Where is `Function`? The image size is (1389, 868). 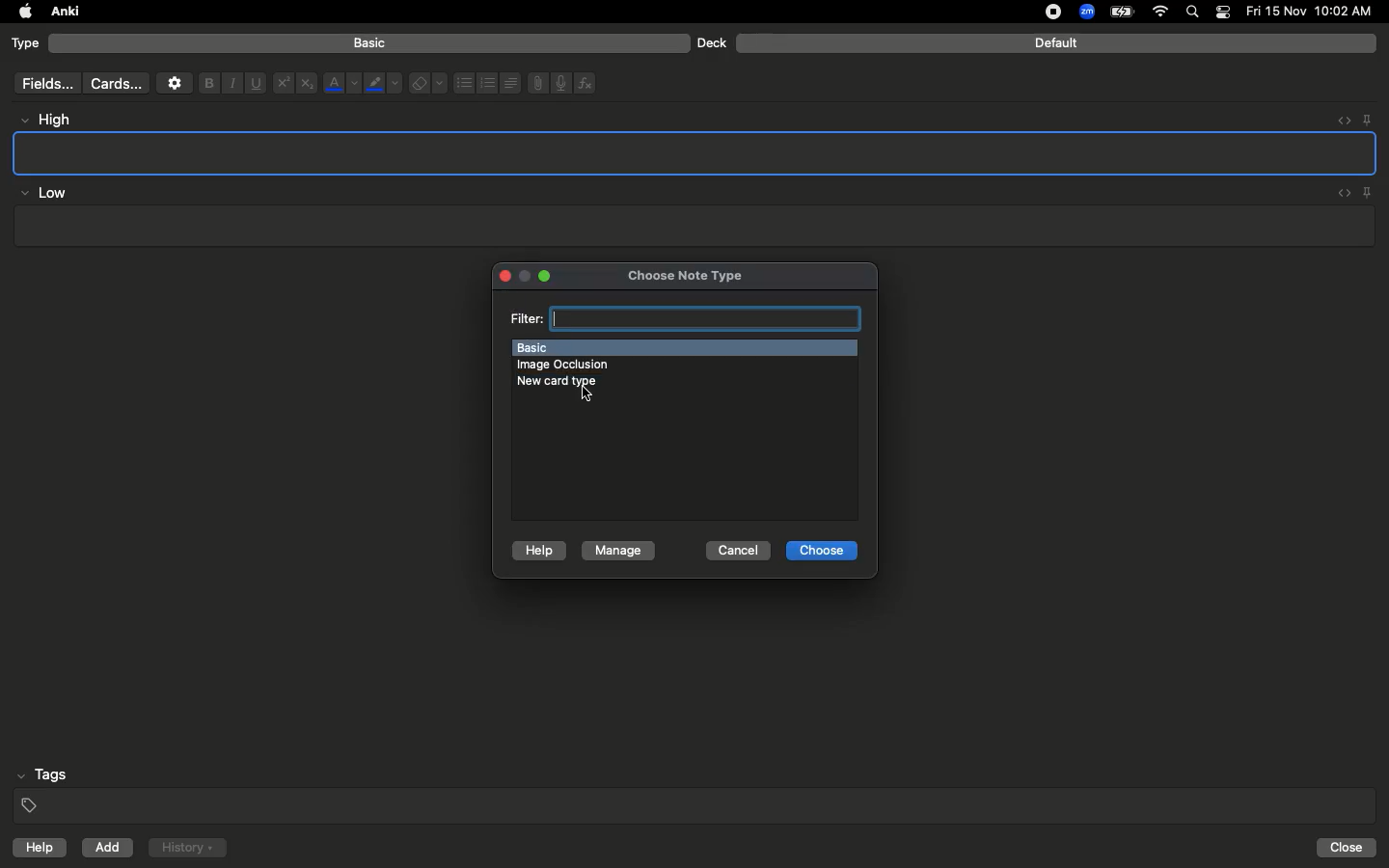 Function is located at coordinates (586, 83).